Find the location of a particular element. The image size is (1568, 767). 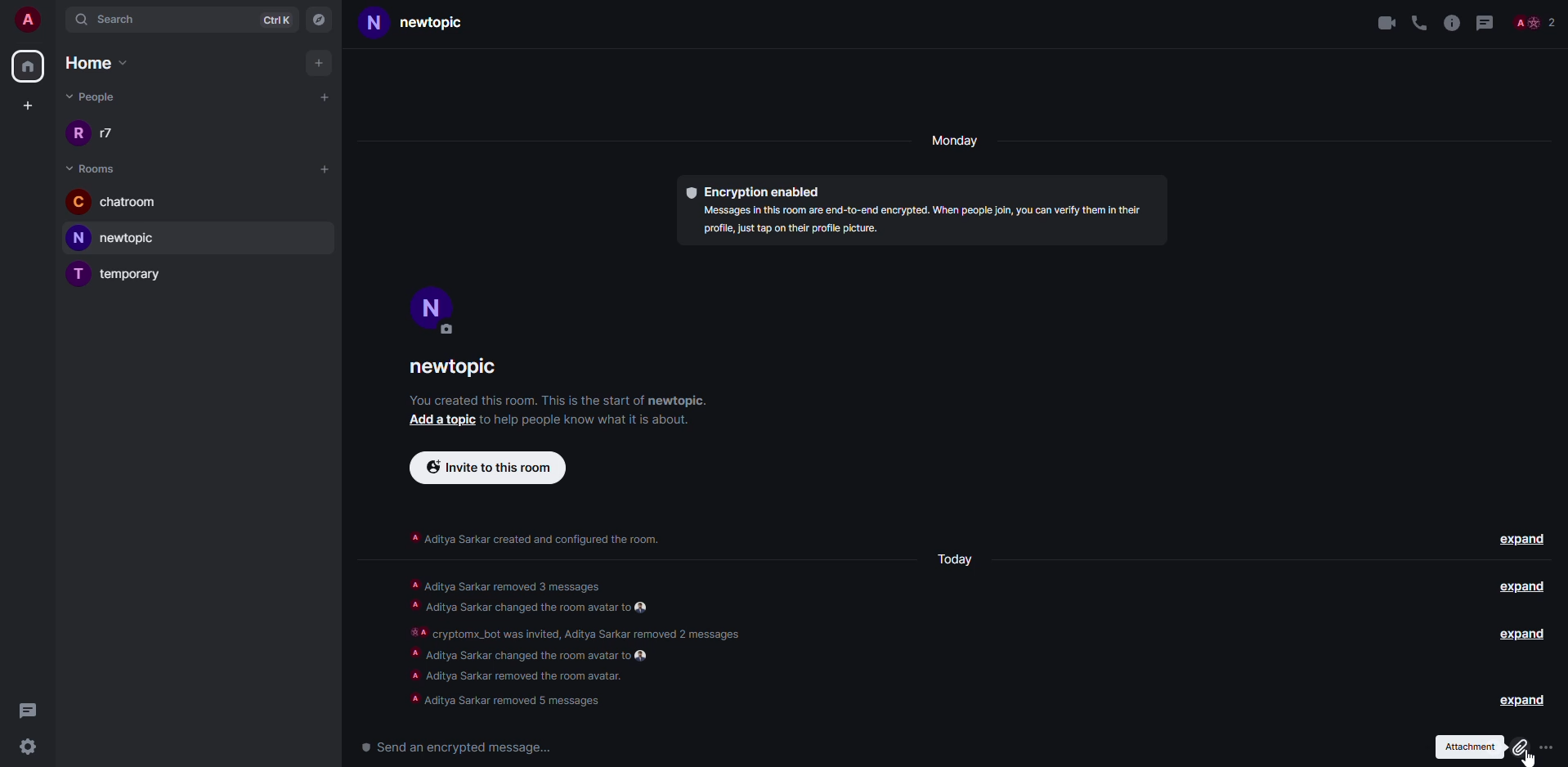

info is located at coordinates (539, 536).